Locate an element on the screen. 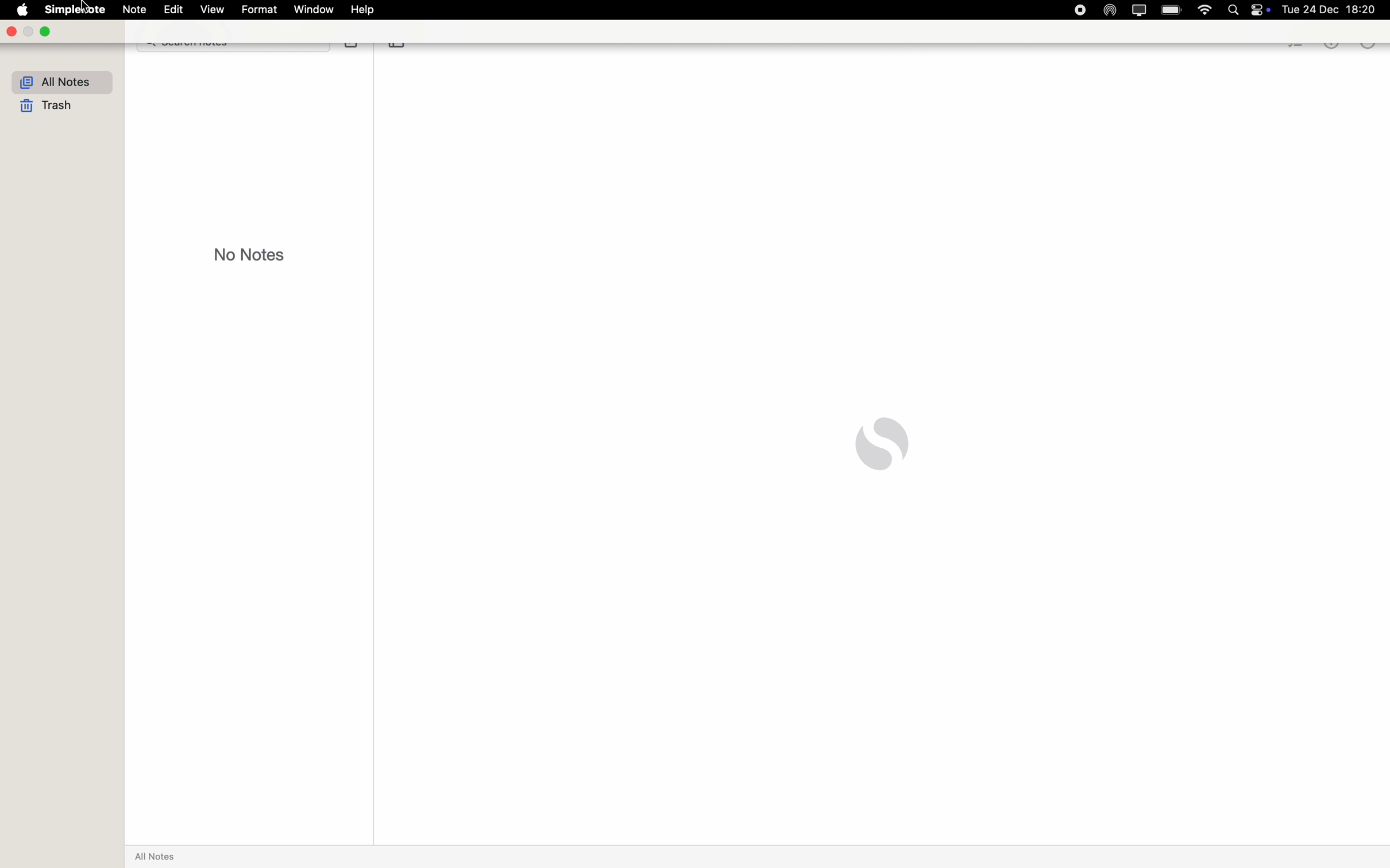 This screenshot has height=868, width=1390. all notes is located at coordinates (158, 857).